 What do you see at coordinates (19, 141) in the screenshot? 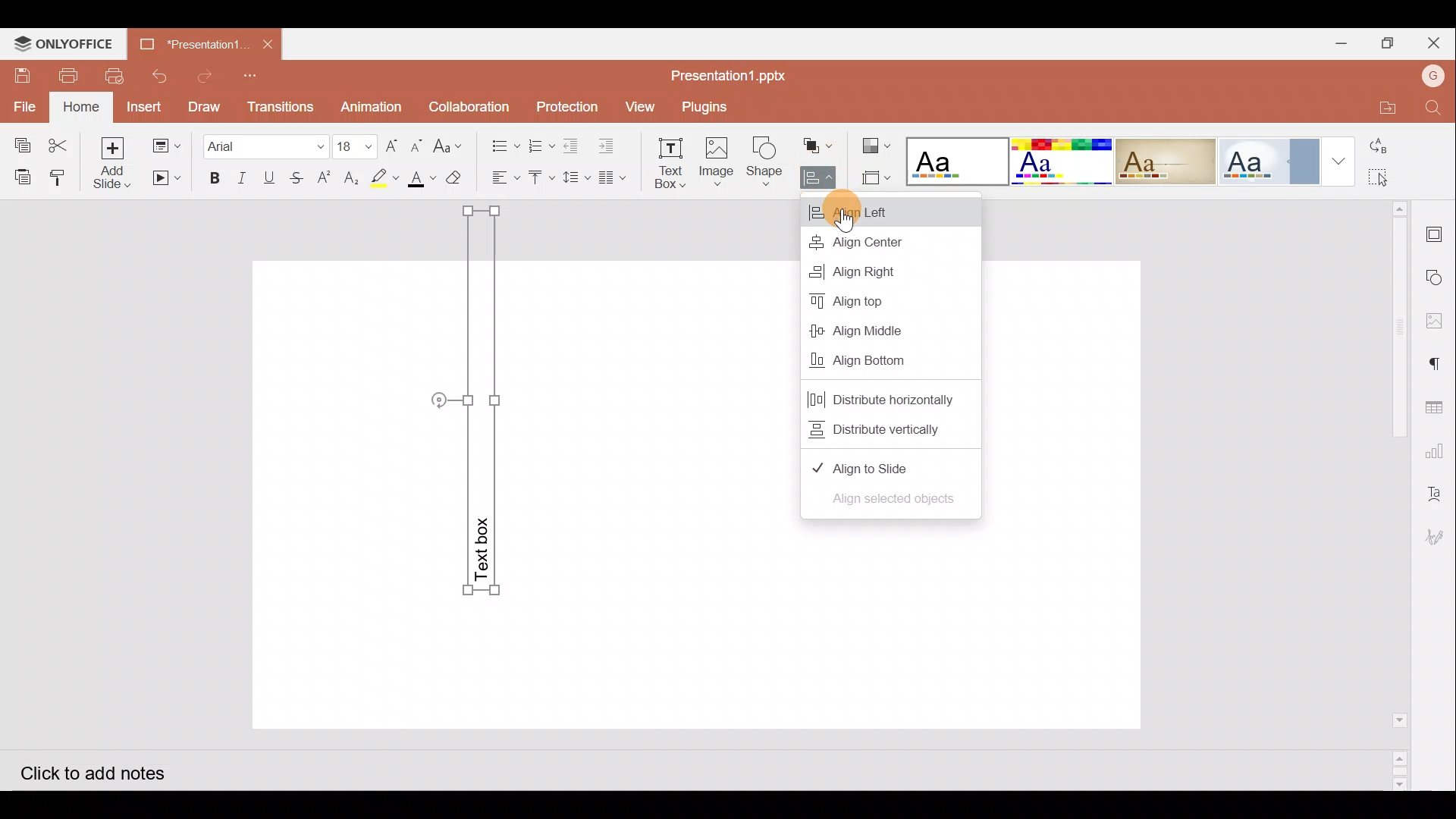
I see `Copy` at bounding box center [19, 141].